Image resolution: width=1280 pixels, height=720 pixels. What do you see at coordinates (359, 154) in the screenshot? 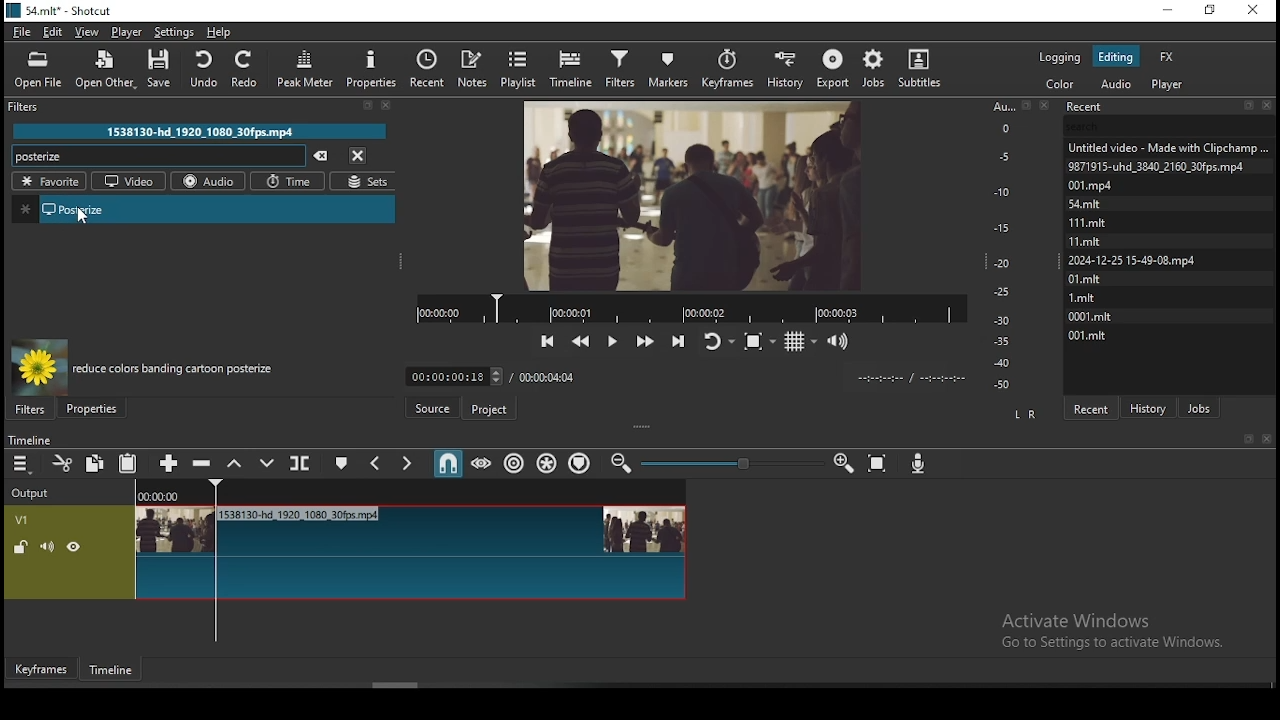
I see `close menu` at bounding box center [359, 154].